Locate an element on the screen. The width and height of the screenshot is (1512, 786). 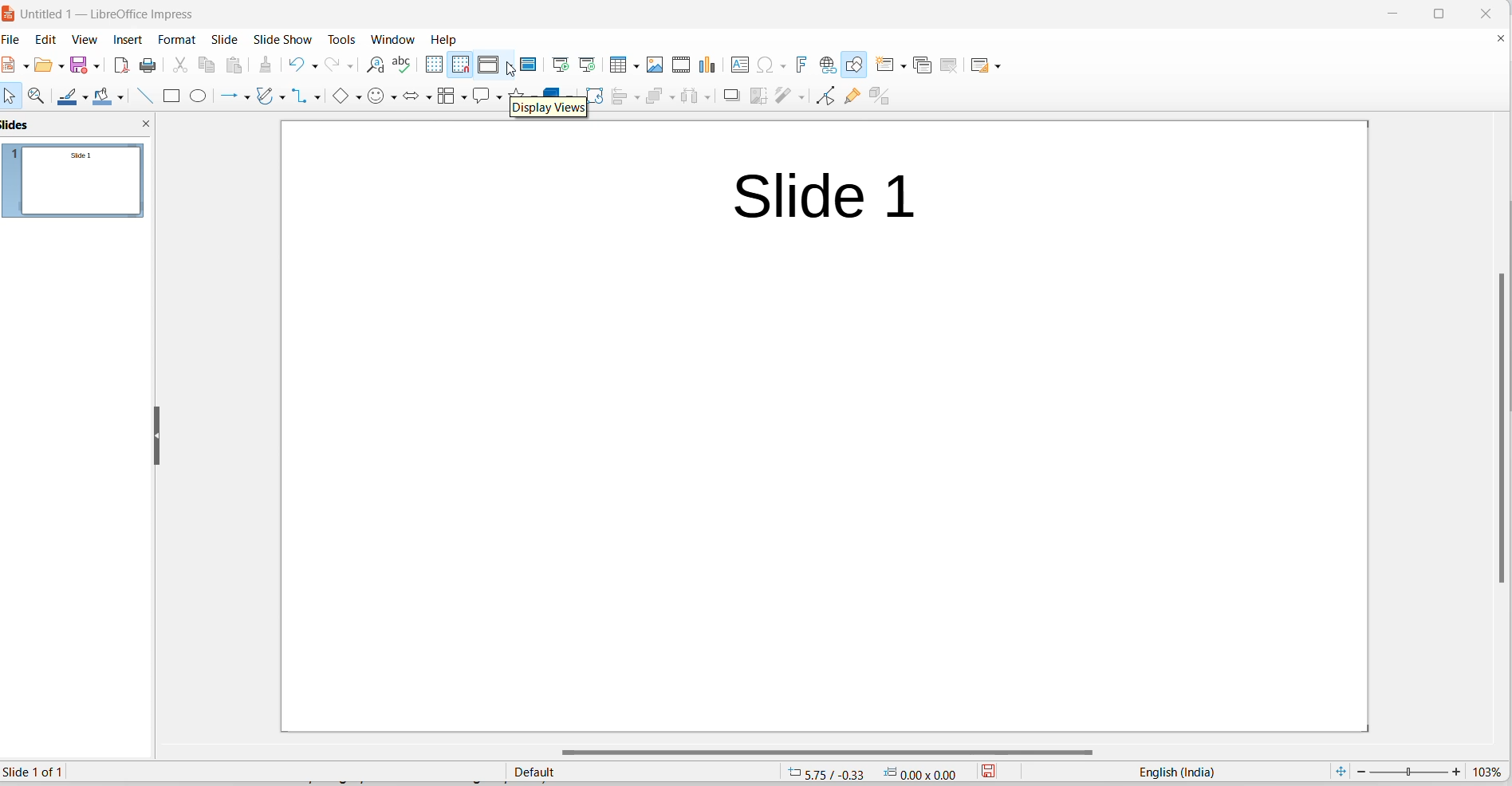
paste  is located at coordinates (238, 65).